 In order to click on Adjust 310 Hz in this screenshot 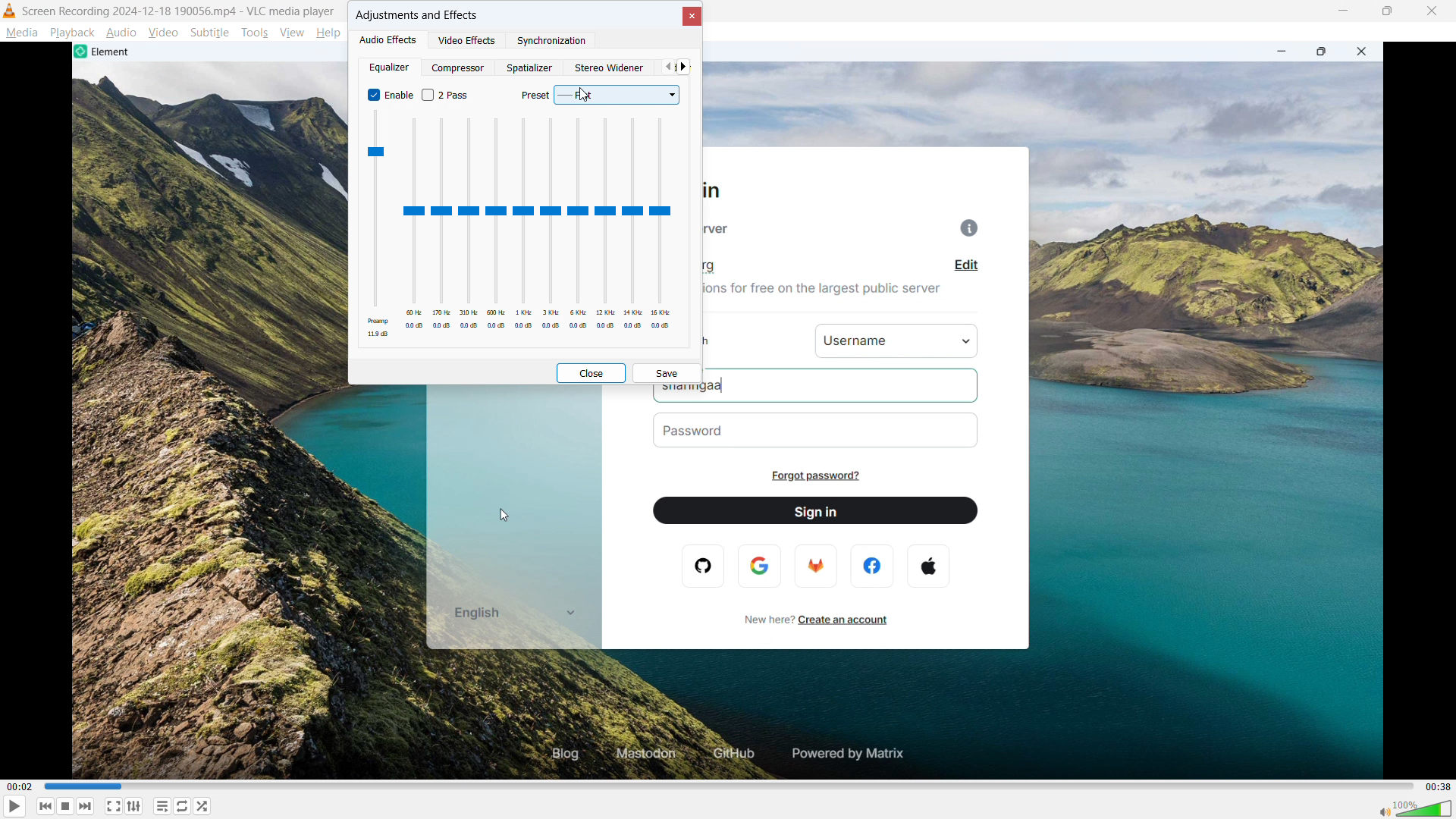, I will do `click(469, 224)`.